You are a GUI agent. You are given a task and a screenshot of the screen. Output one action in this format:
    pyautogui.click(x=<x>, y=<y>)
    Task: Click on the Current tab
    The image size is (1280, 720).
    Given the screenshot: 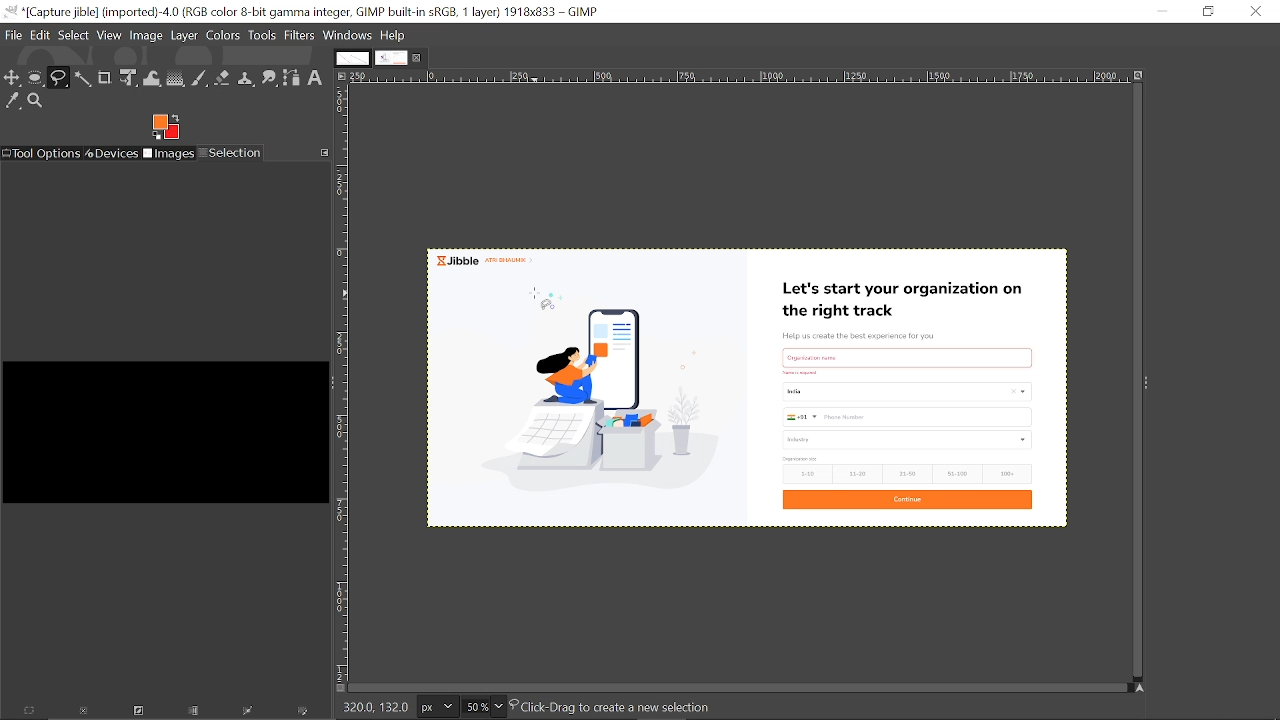 What is the action you would take?
    pyautogui.click(x=391, y=59)
    